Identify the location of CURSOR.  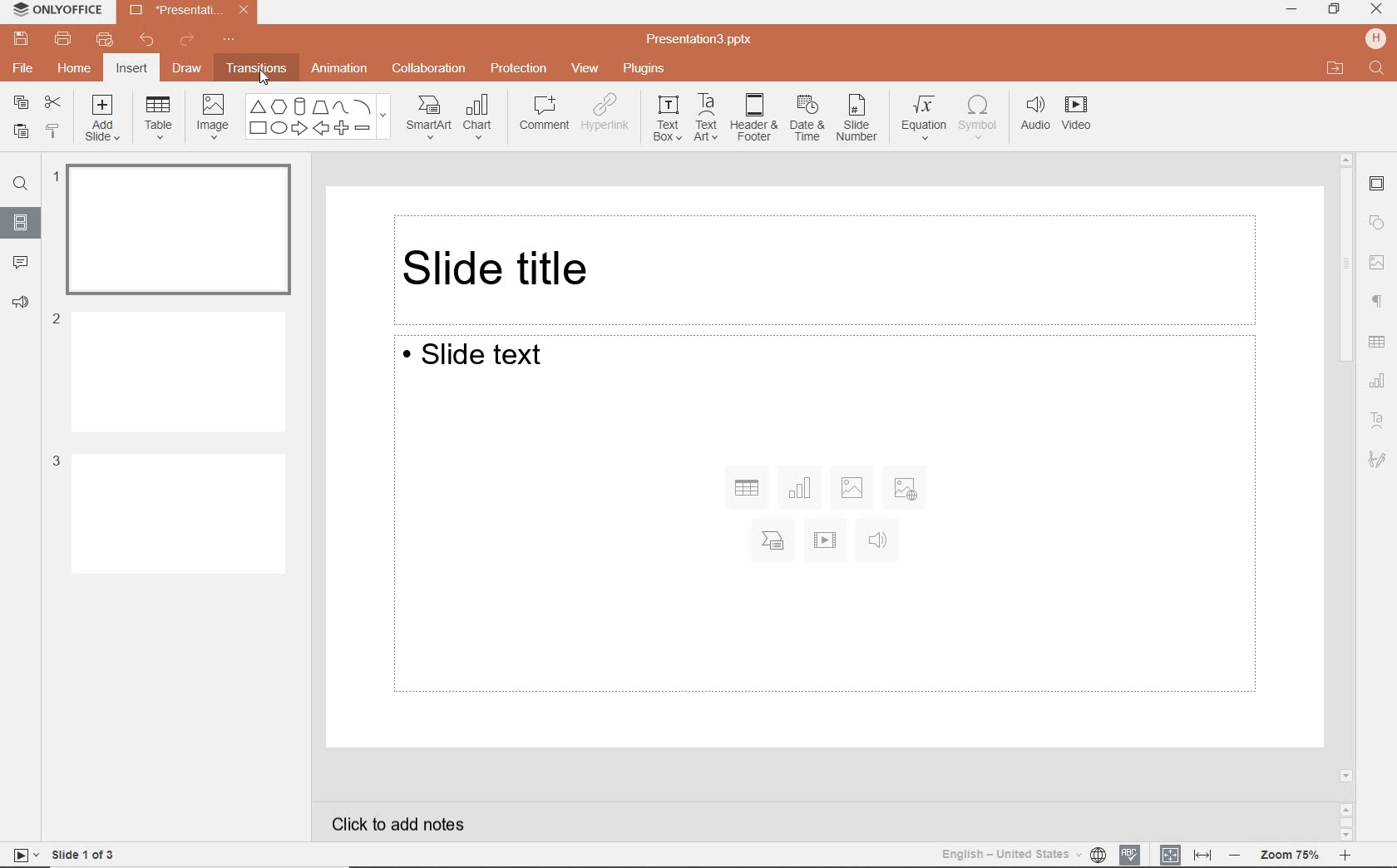
(264, 76).